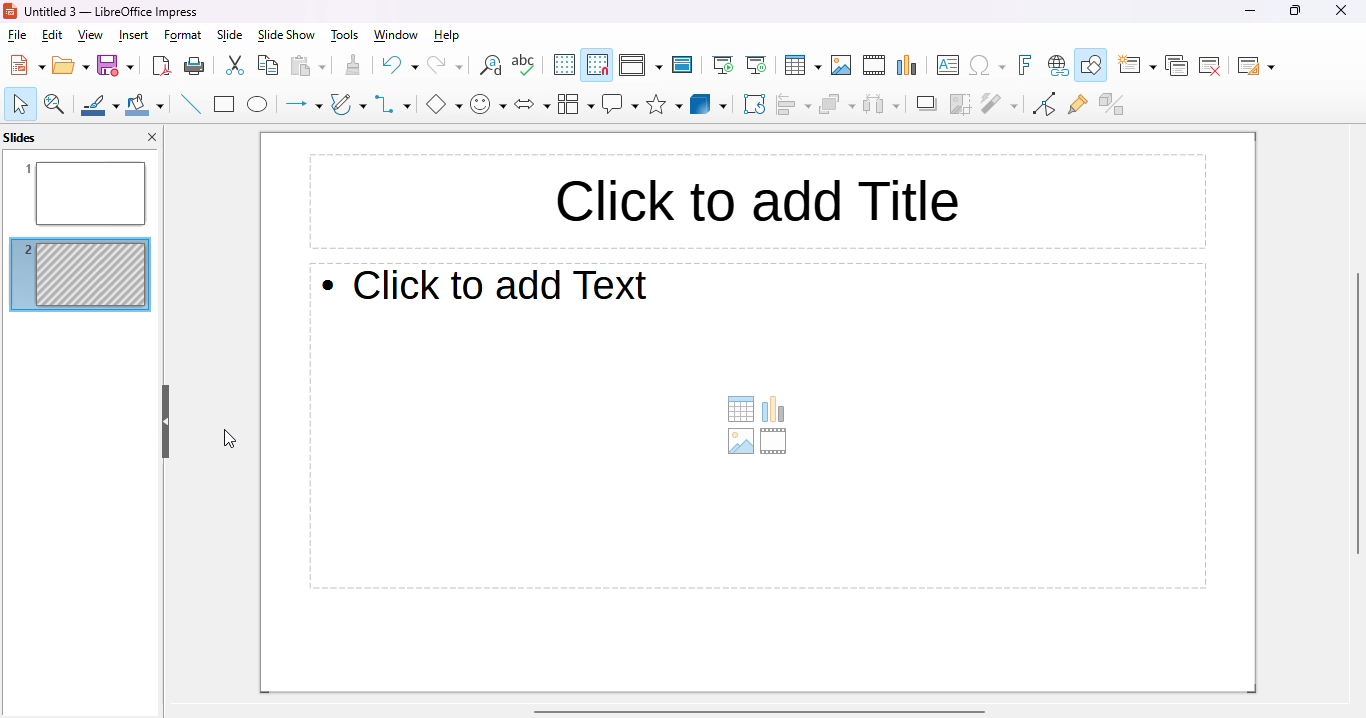  What do you see at coordinates (444, 65) in the screenshot?
I see `redo` at bounding box center [444, 65].